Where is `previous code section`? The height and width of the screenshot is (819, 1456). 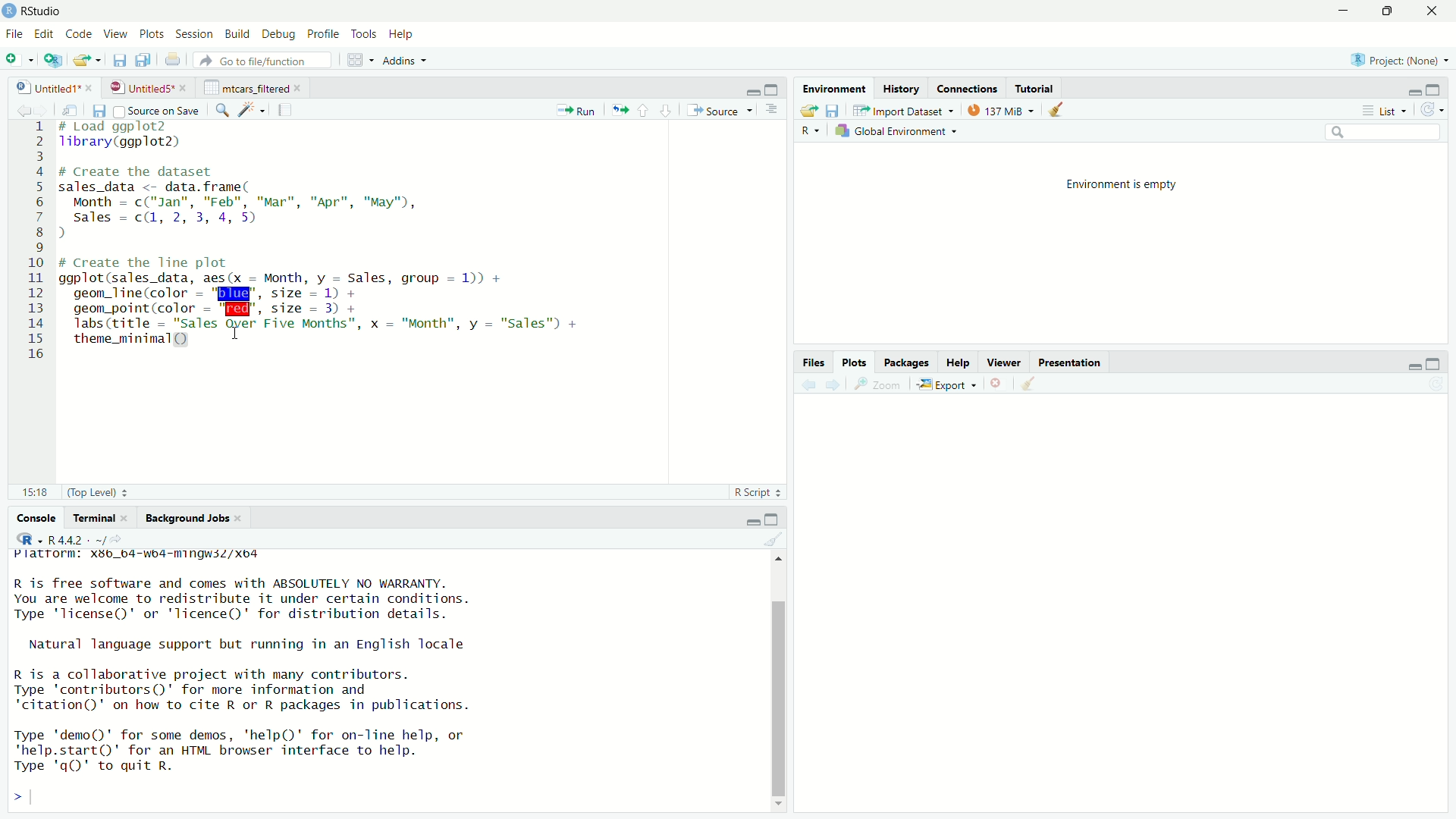
previous code section is located at coordinates (643, 110).